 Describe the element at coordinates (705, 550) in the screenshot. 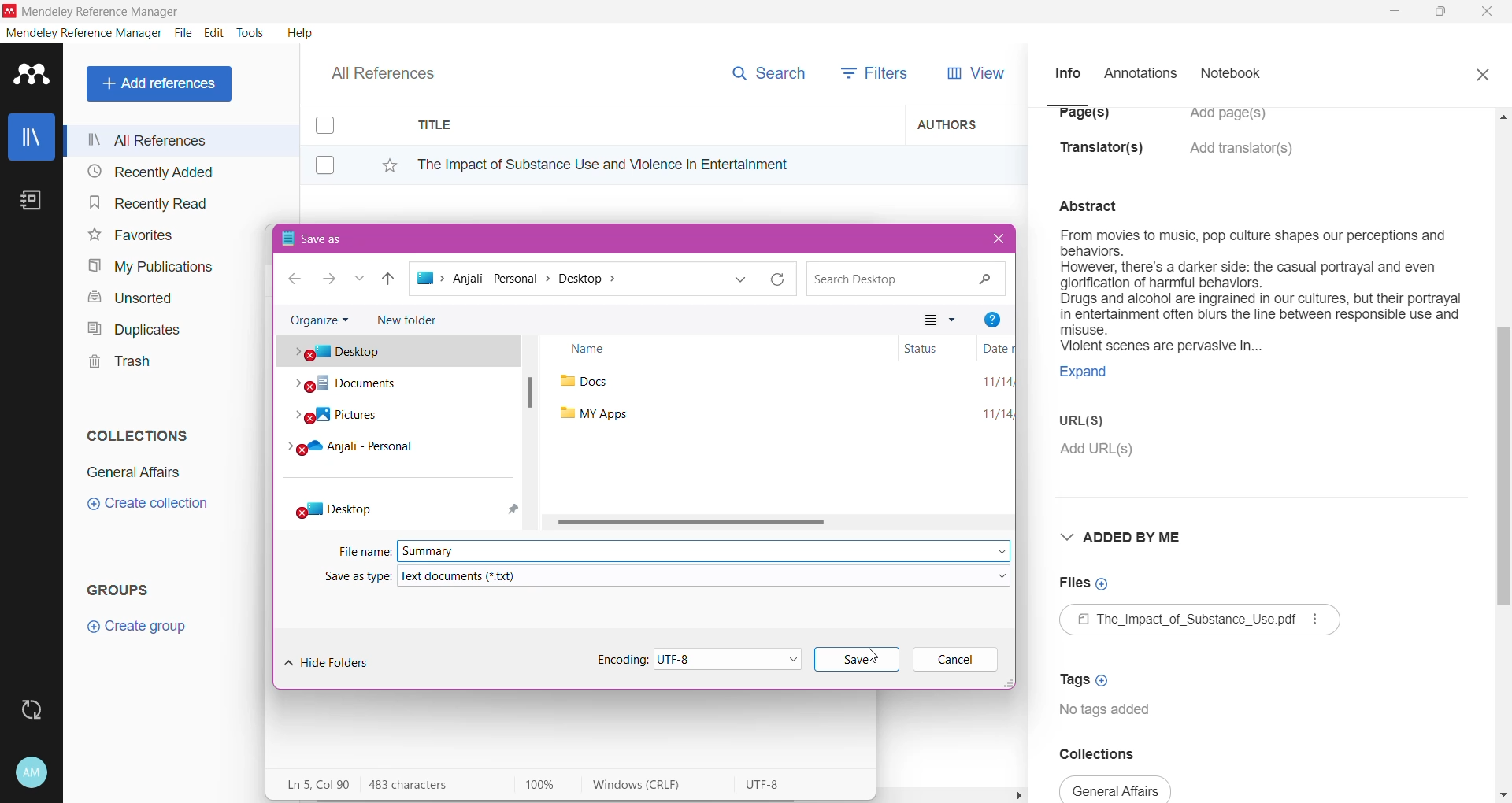

I see `File Name set` at that location.